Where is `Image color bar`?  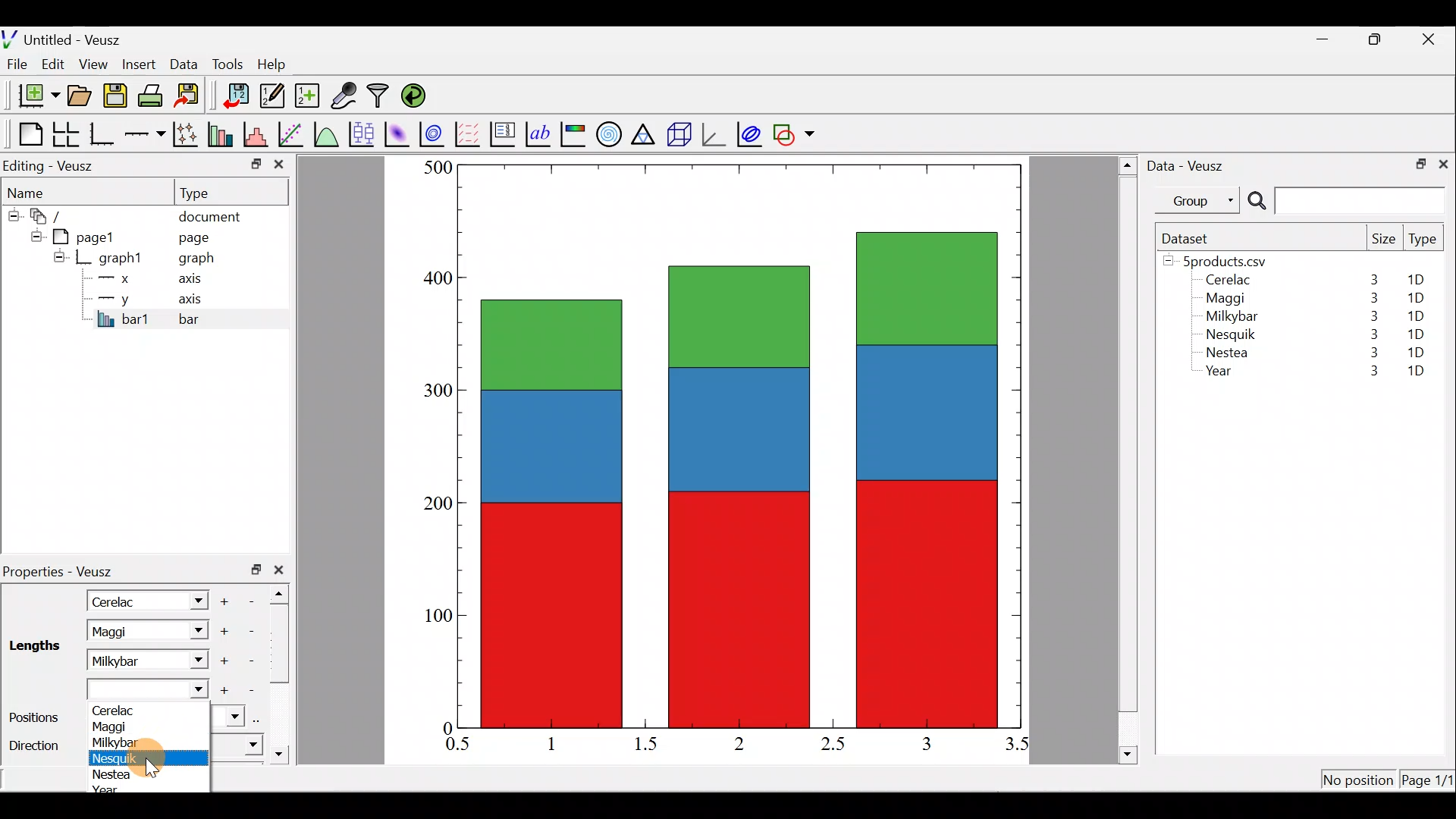 Image color bar is located at coordinates (574, 133).